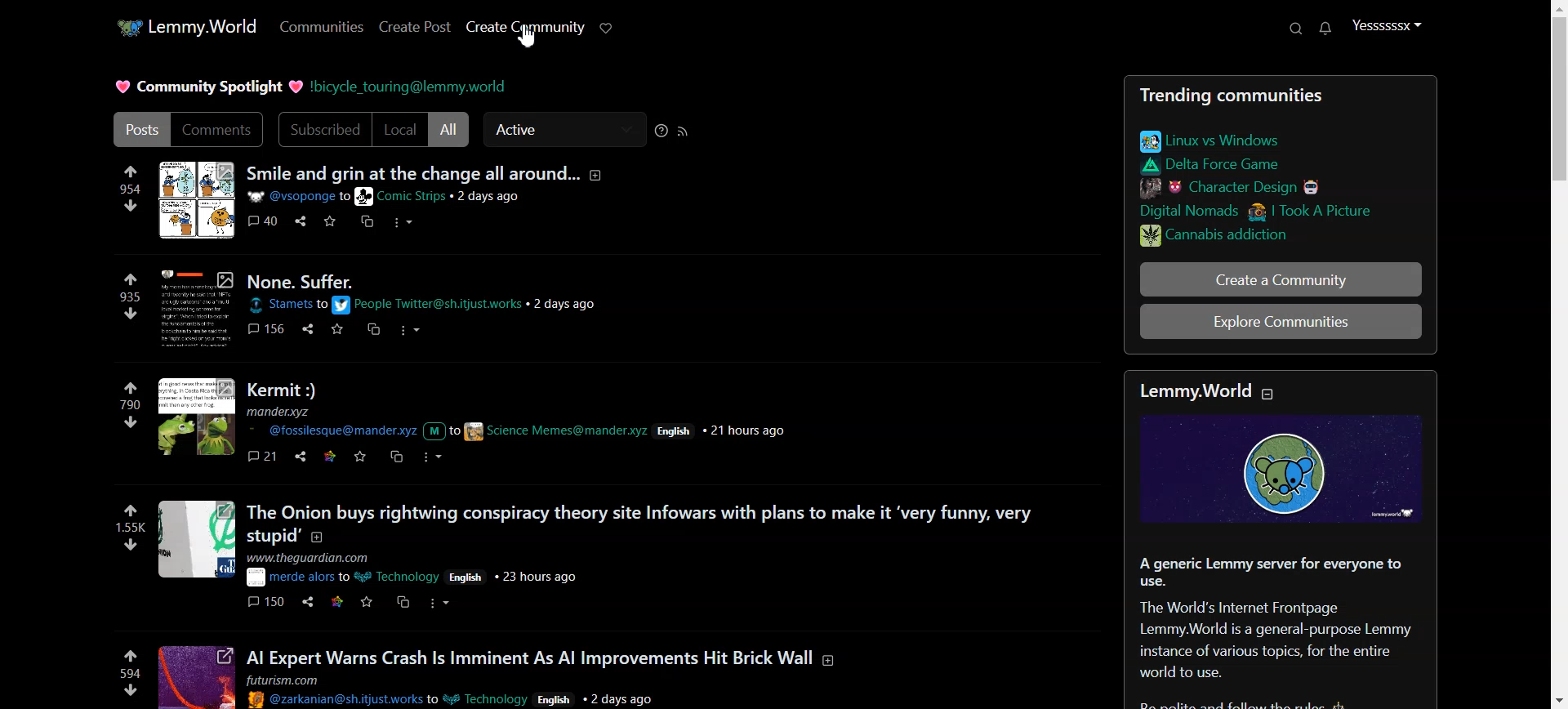  Describe the element at coordinates (425, 570) in the screenshot. I see `posts details` at that location.